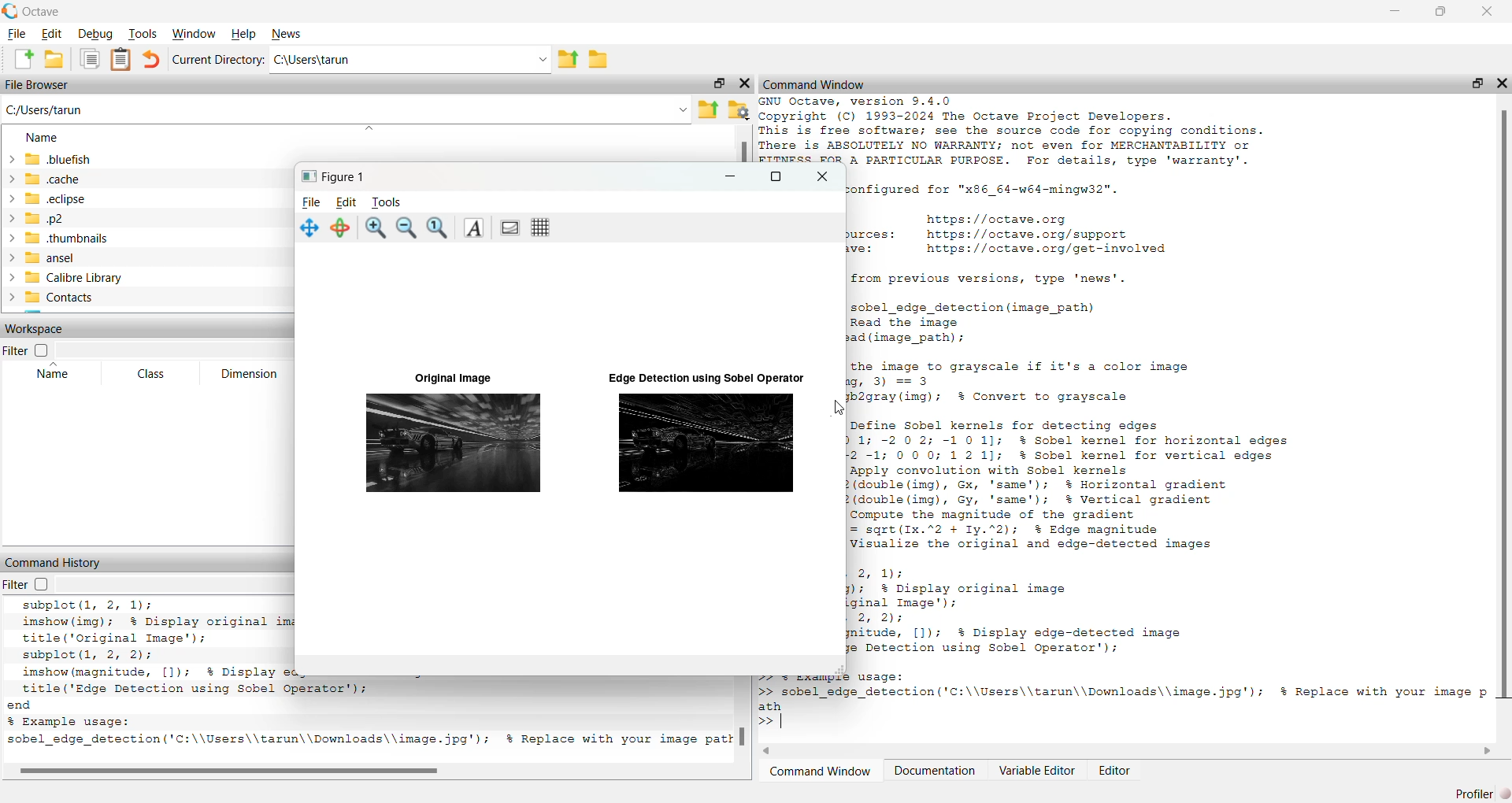 The width and height of the screenshot is (1512, 803). I want to click on Workspace, so click(35, 327).